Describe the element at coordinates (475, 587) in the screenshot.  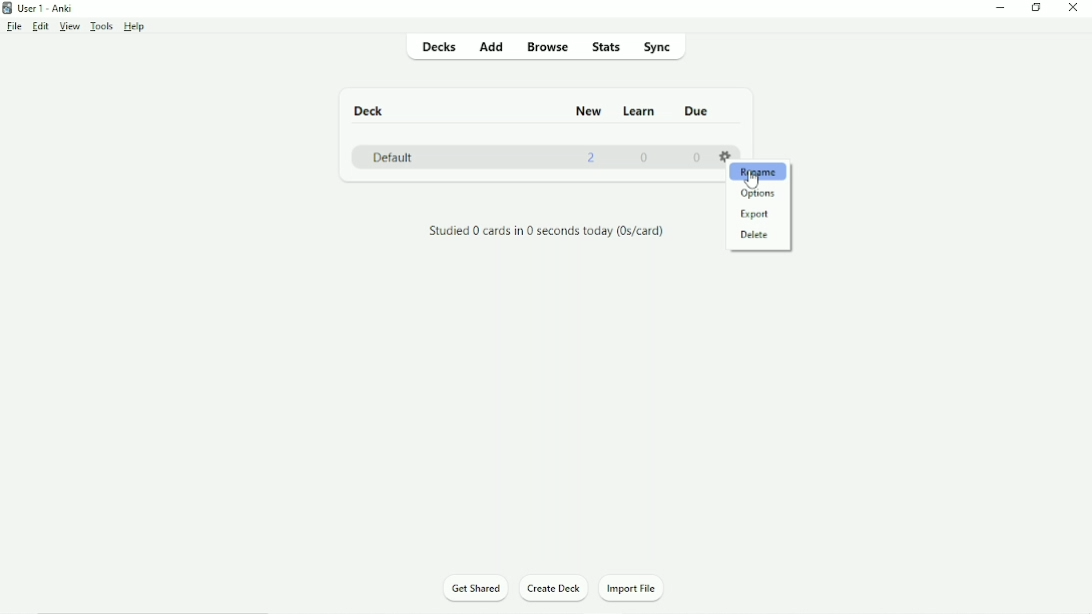
I see `Get Shared` at that location.